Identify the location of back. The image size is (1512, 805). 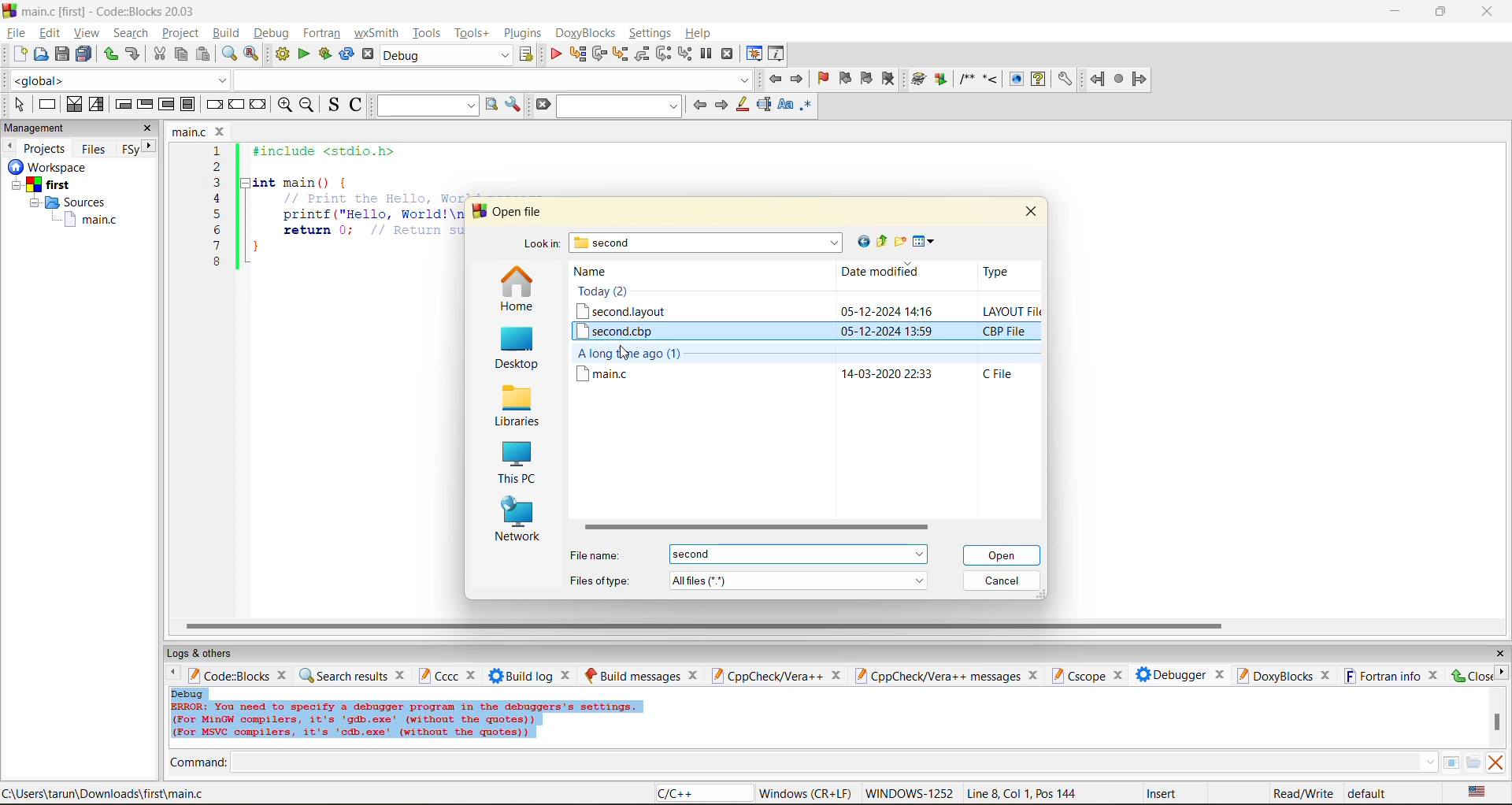
(1099, 79).